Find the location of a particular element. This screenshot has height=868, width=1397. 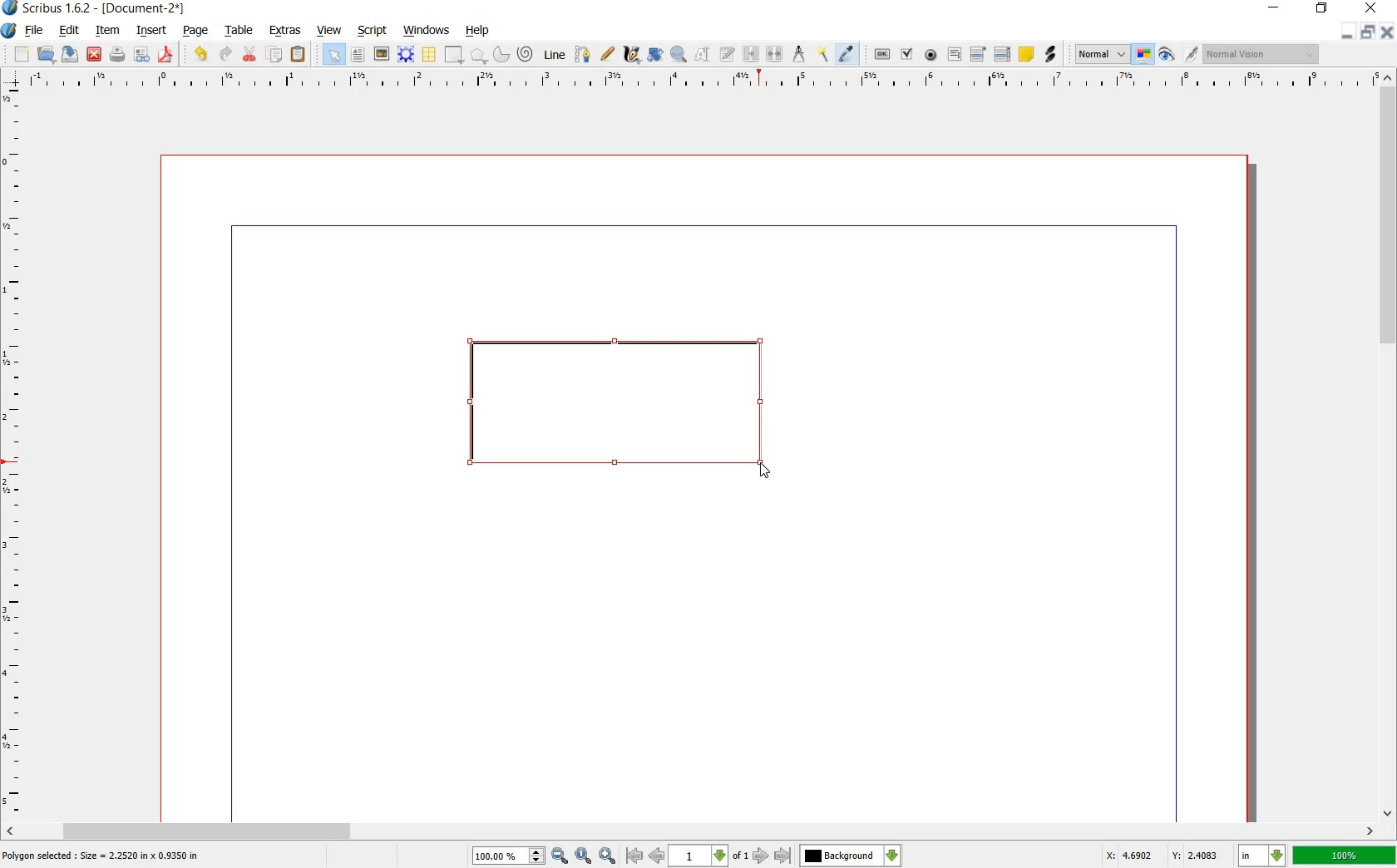

select current unit is located at coordinates (1260, 856).